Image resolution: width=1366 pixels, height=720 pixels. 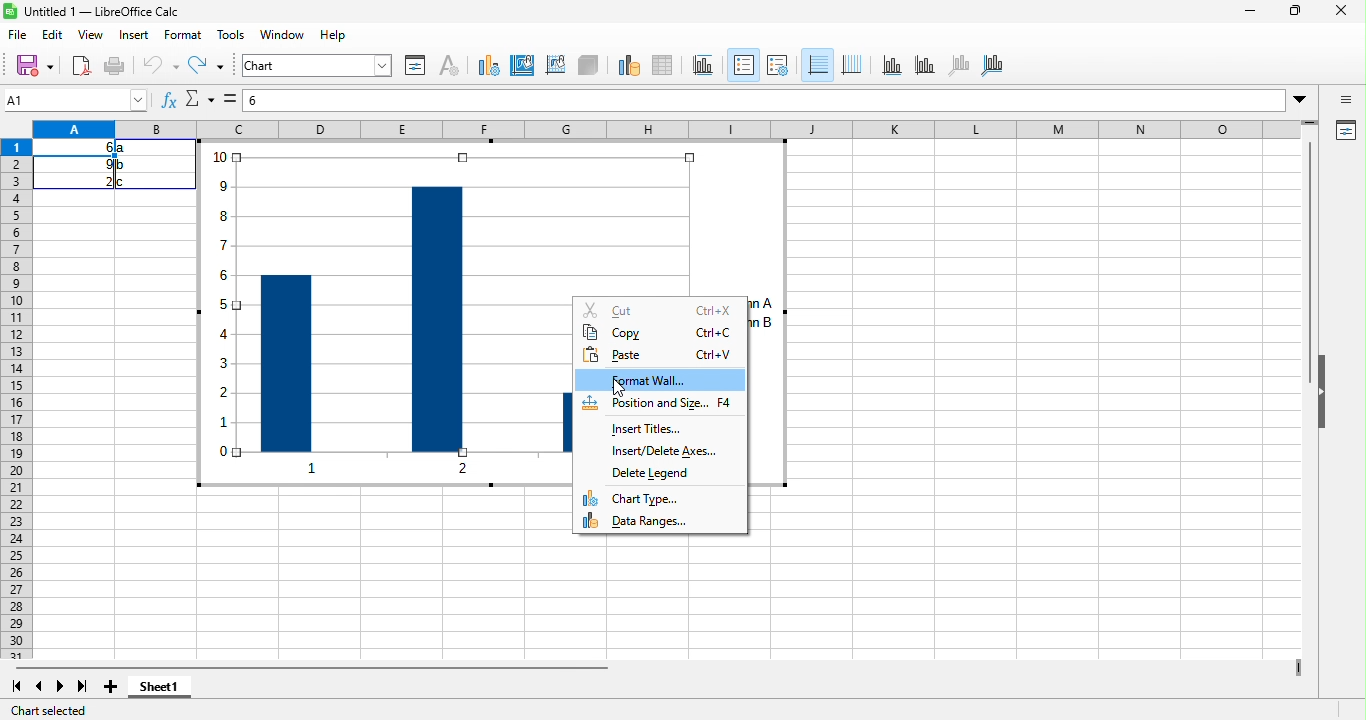 I want to click on paste, so click(x=662, y=357).